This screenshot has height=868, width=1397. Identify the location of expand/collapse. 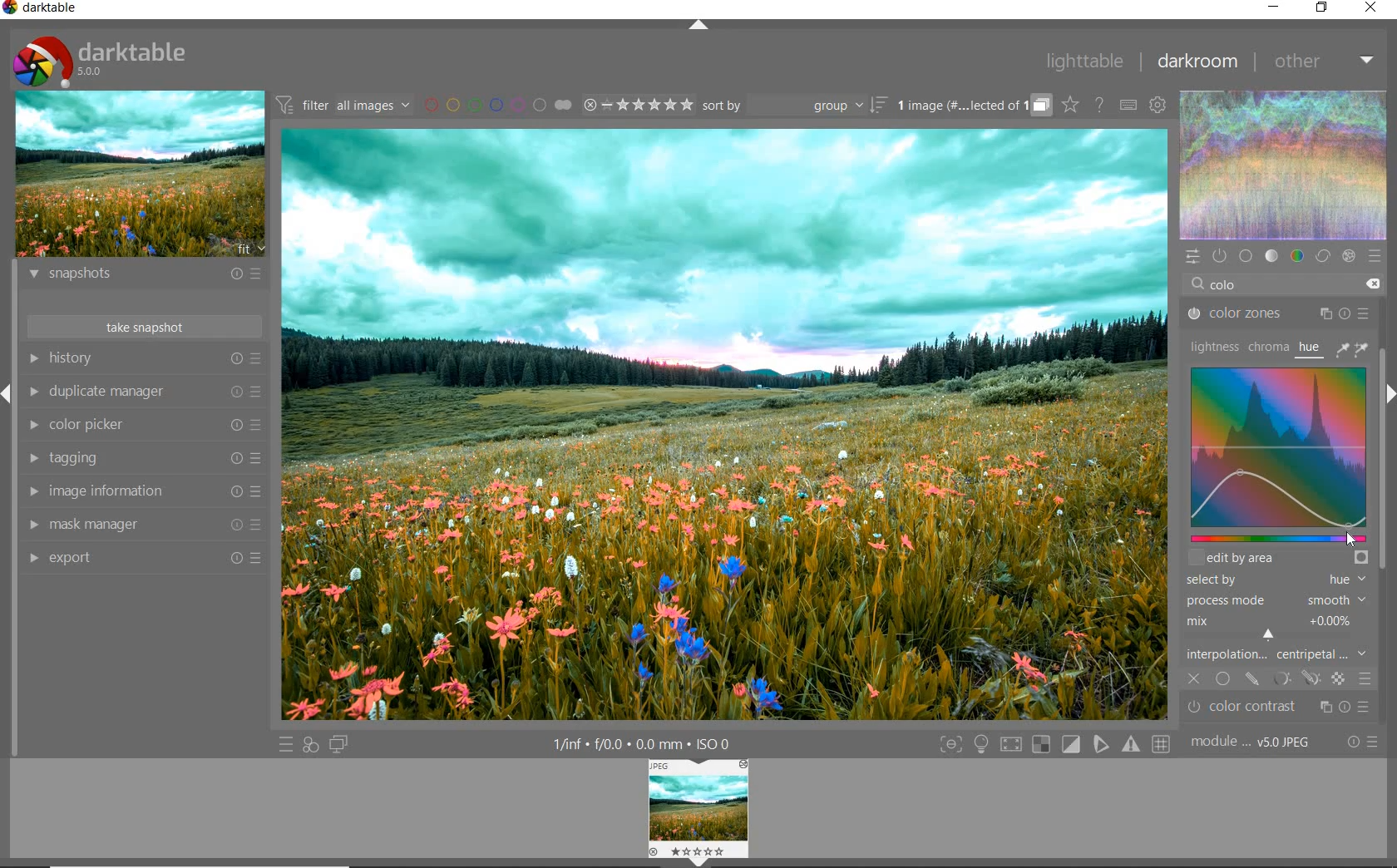
(701, 26).